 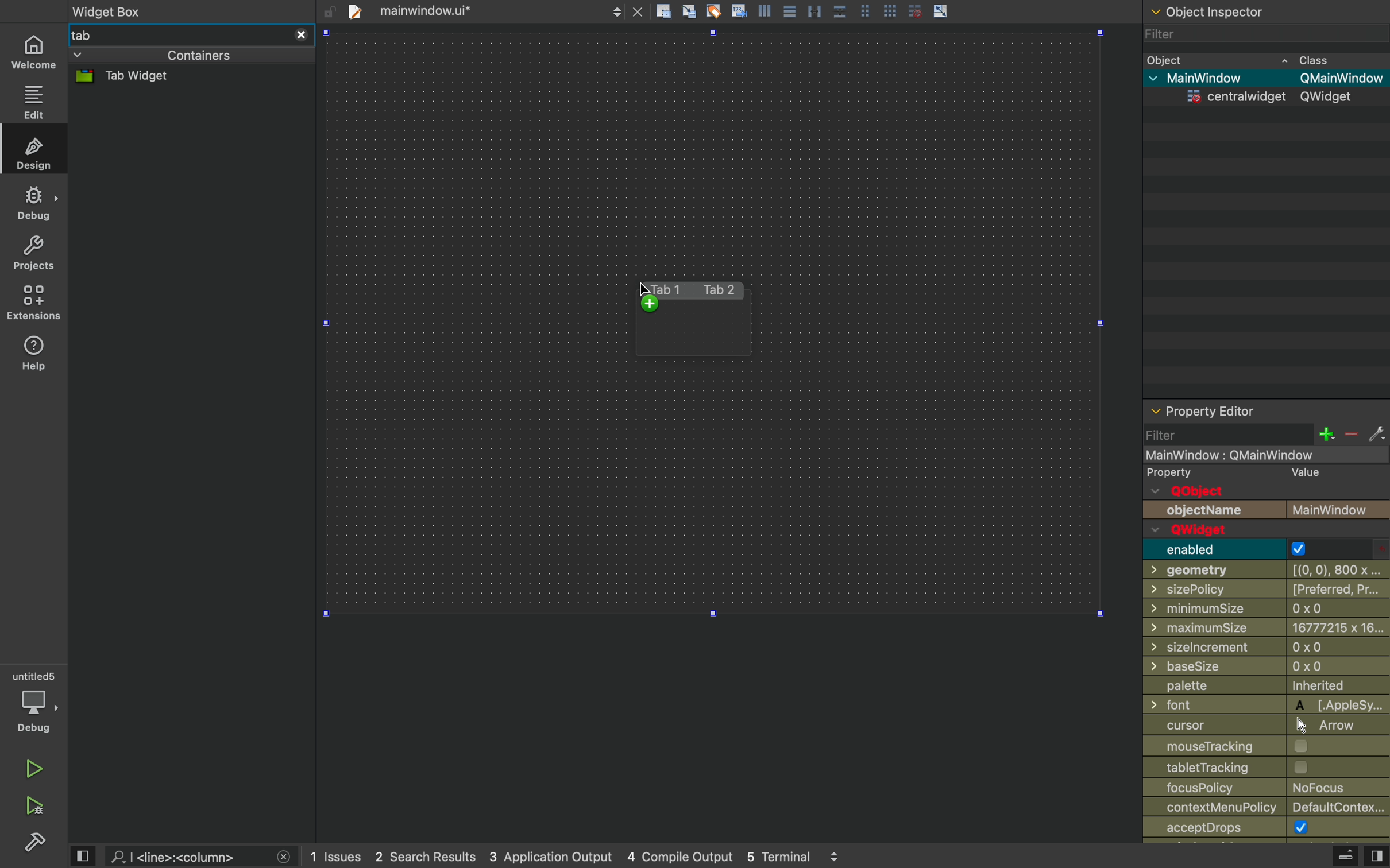 I want to click on cursor, so click(x=1253, y=726).